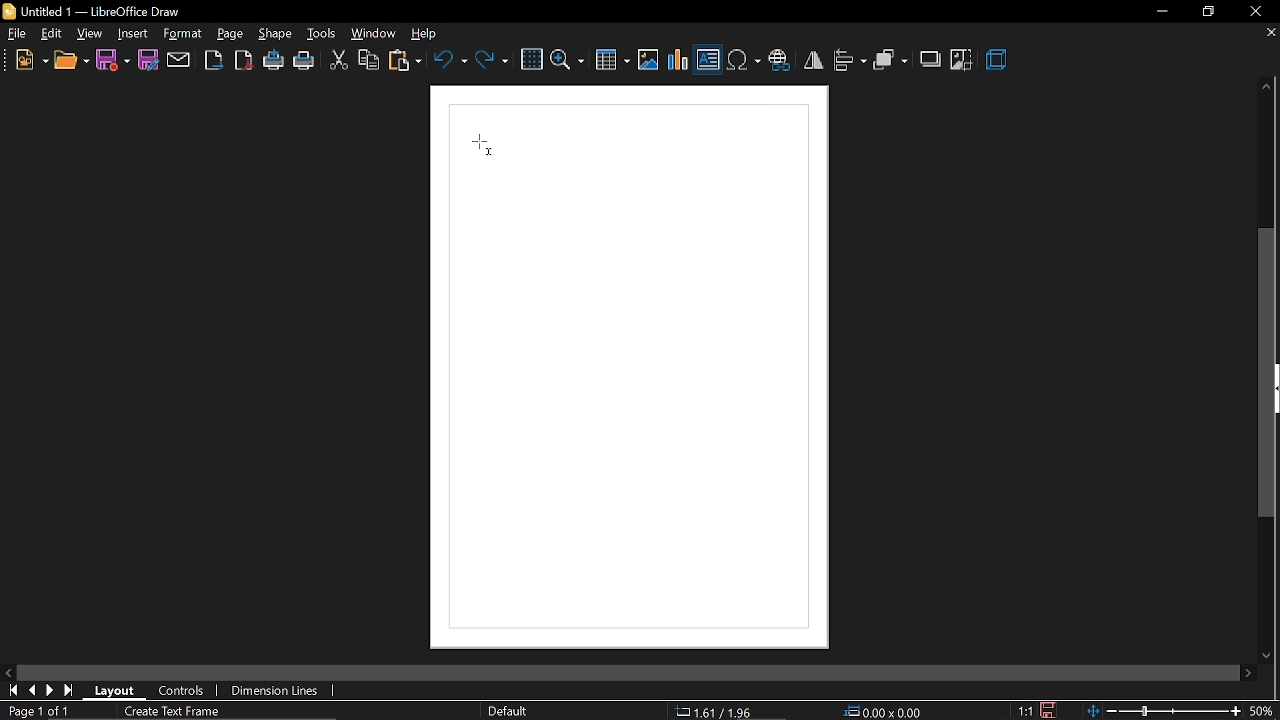  I want to click on insert table, so click(613, 62).